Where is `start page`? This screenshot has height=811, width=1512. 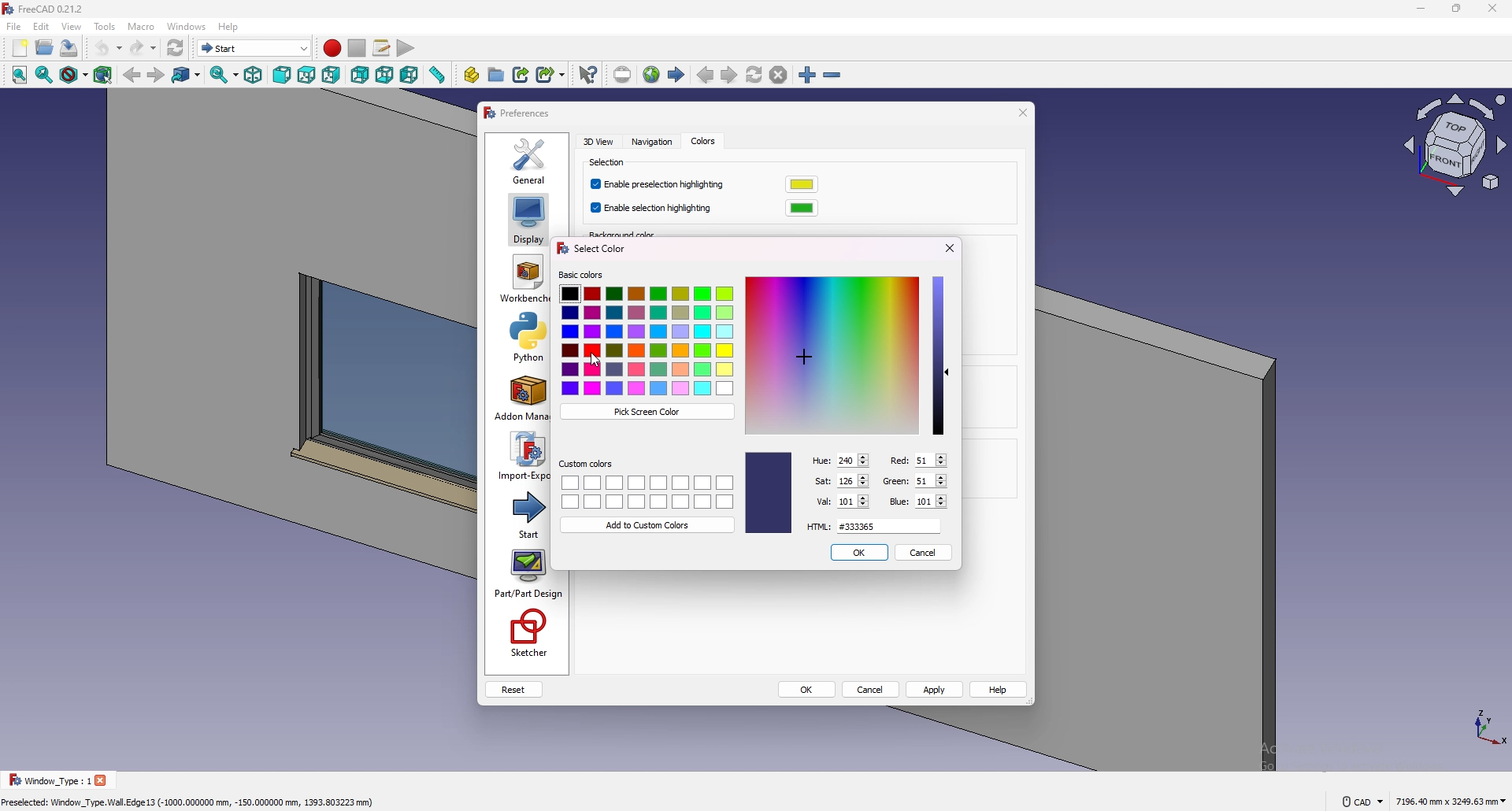 start page is located at coordinates (677, 75).